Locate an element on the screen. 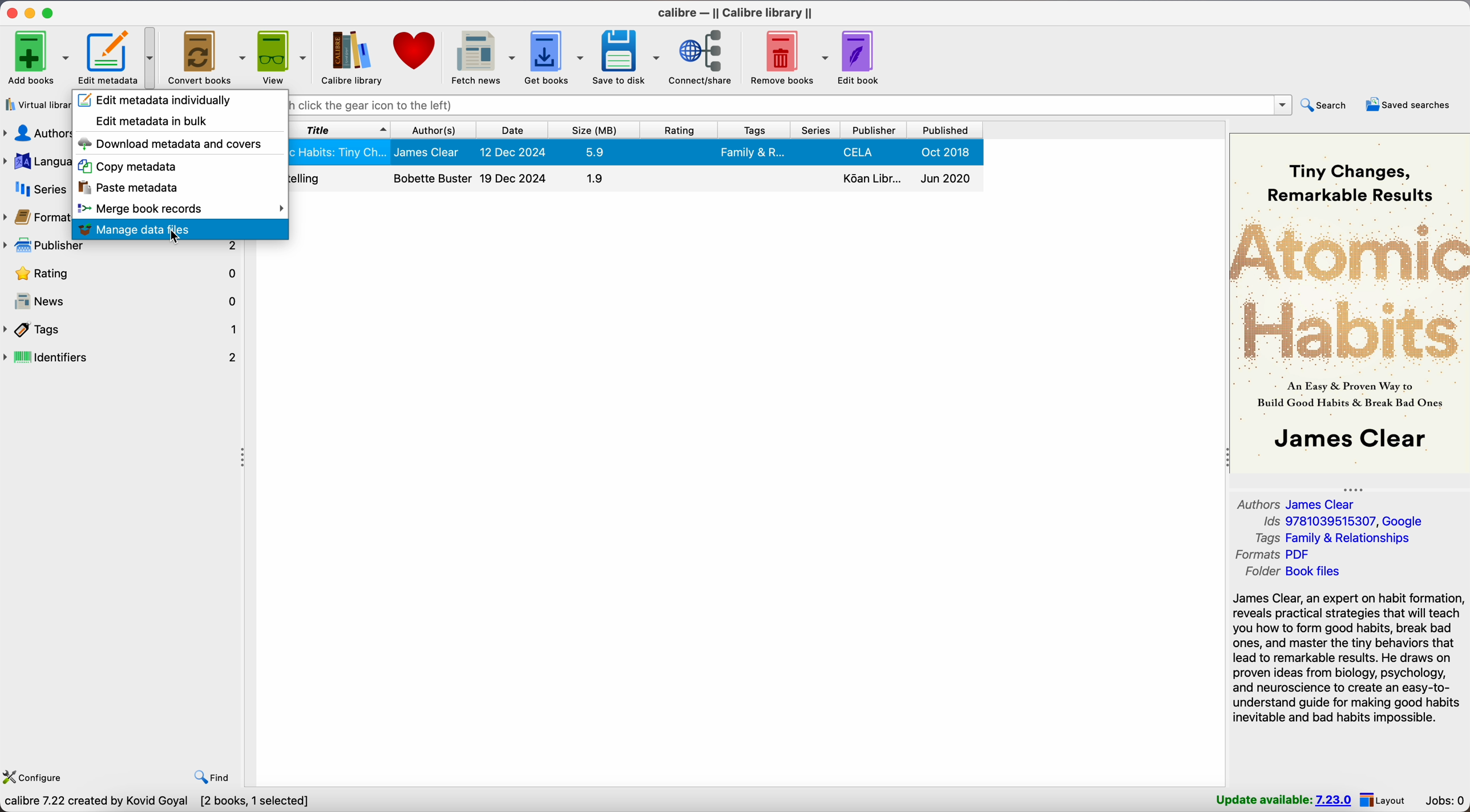 The width and height of the screenshot is (1470, 812). publisher is located at coordinates (875, 131).